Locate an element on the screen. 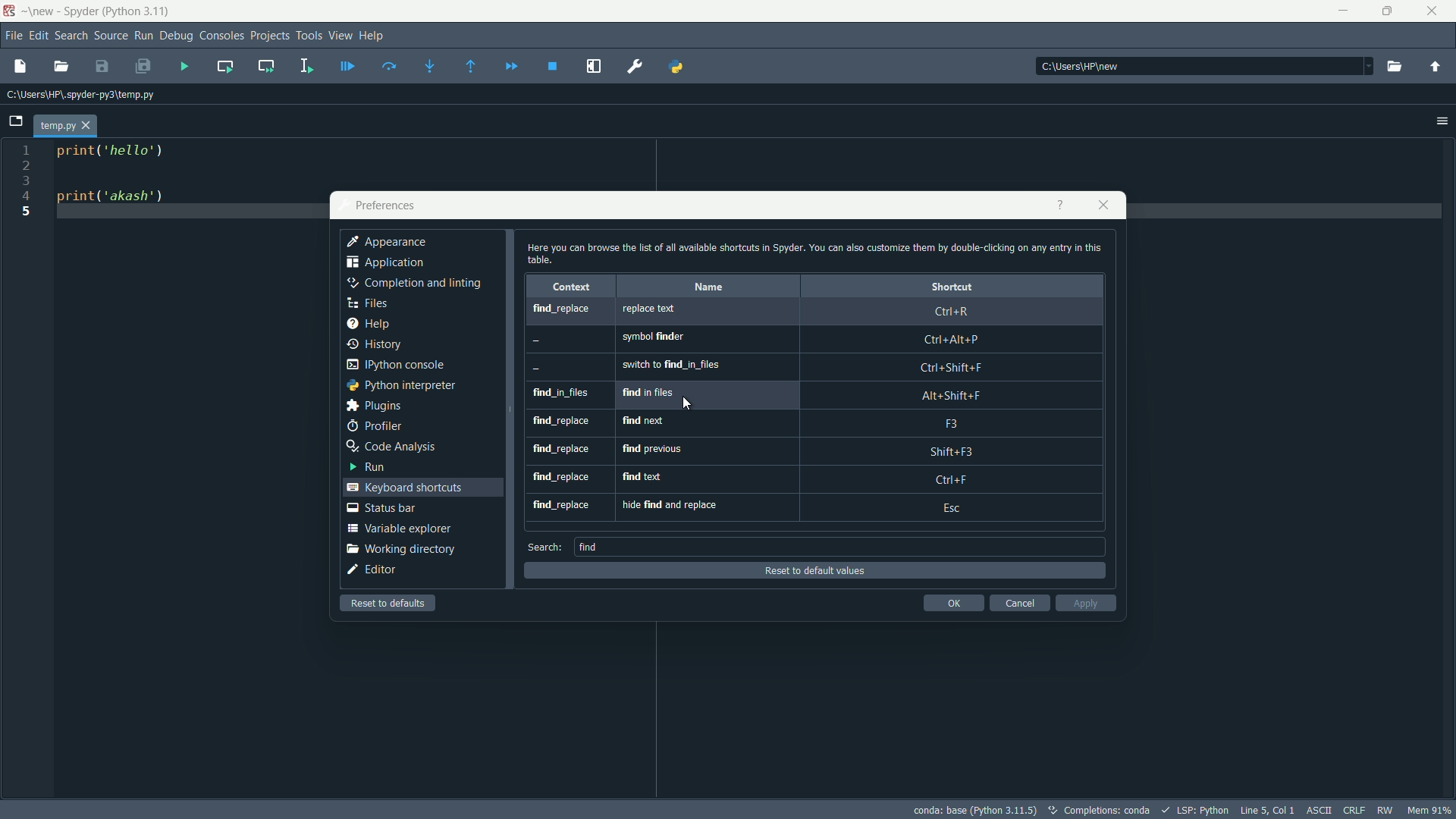 The height and width of the screenshot is (819, 1456). application is located at coordinates (388, 262).